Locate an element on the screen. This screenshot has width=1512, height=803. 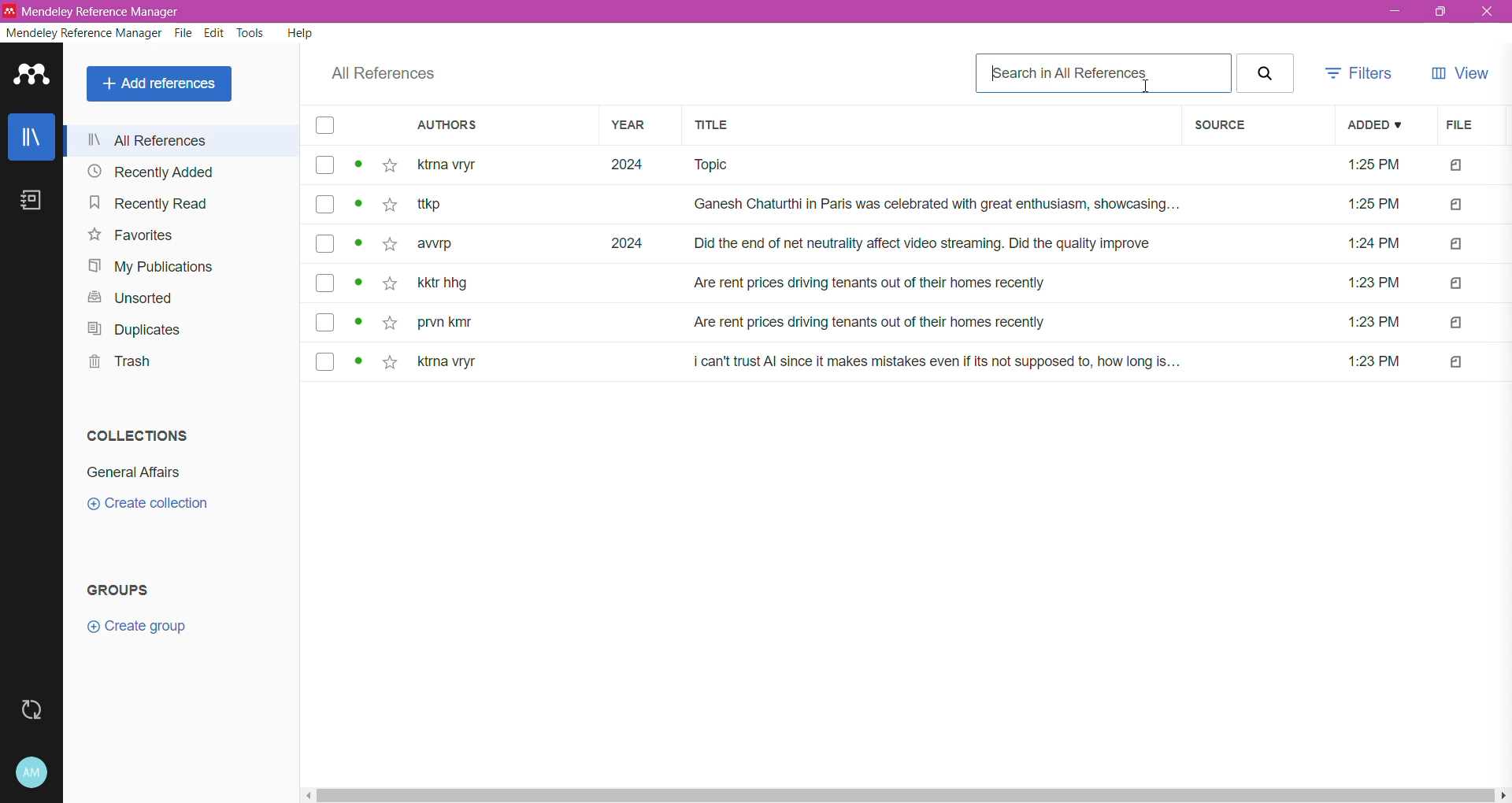
click here to add to favourites is located at coordinates (387, 322).